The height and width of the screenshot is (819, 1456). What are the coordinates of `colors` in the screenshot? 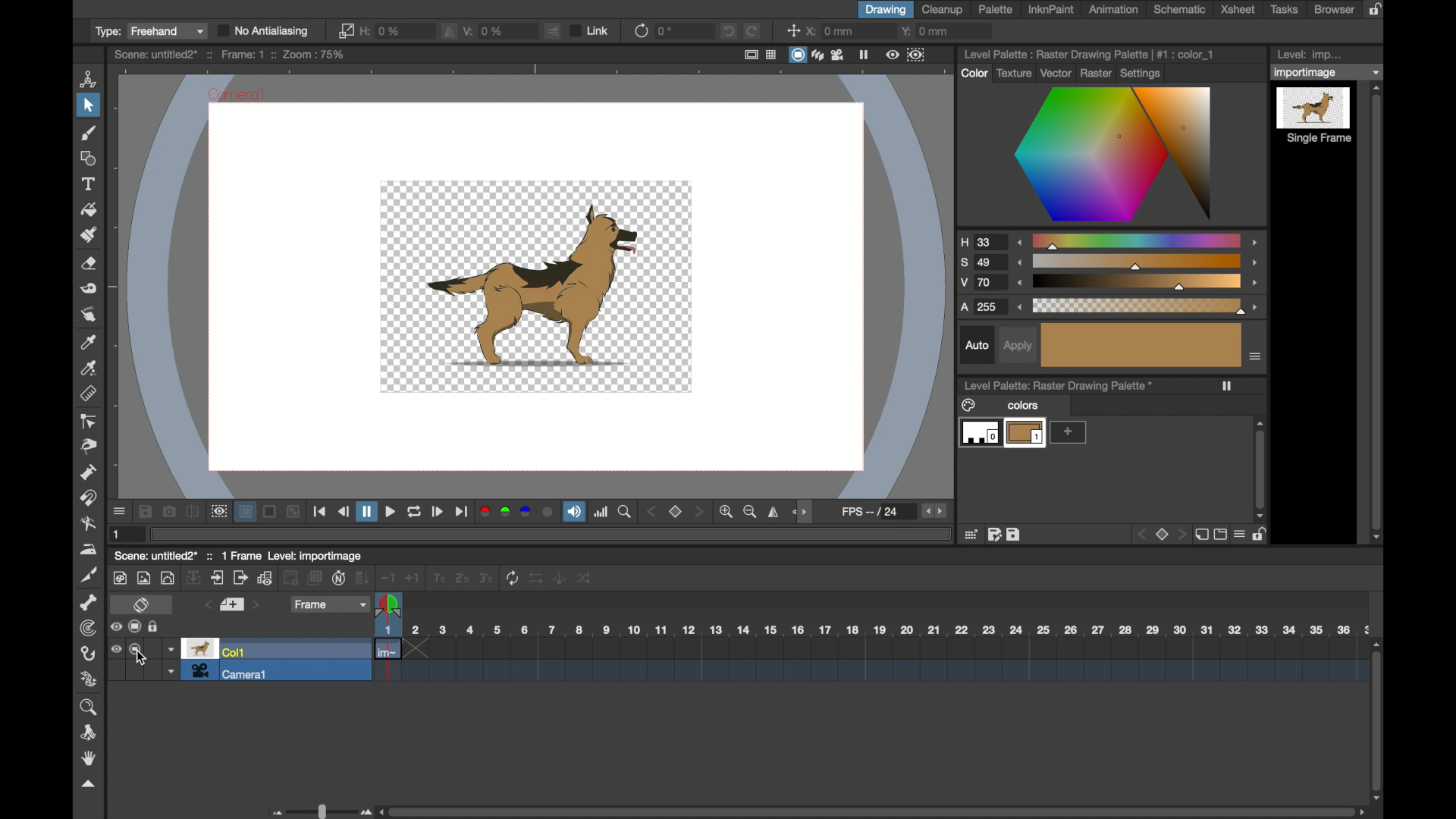 It's located at (1000, 405).